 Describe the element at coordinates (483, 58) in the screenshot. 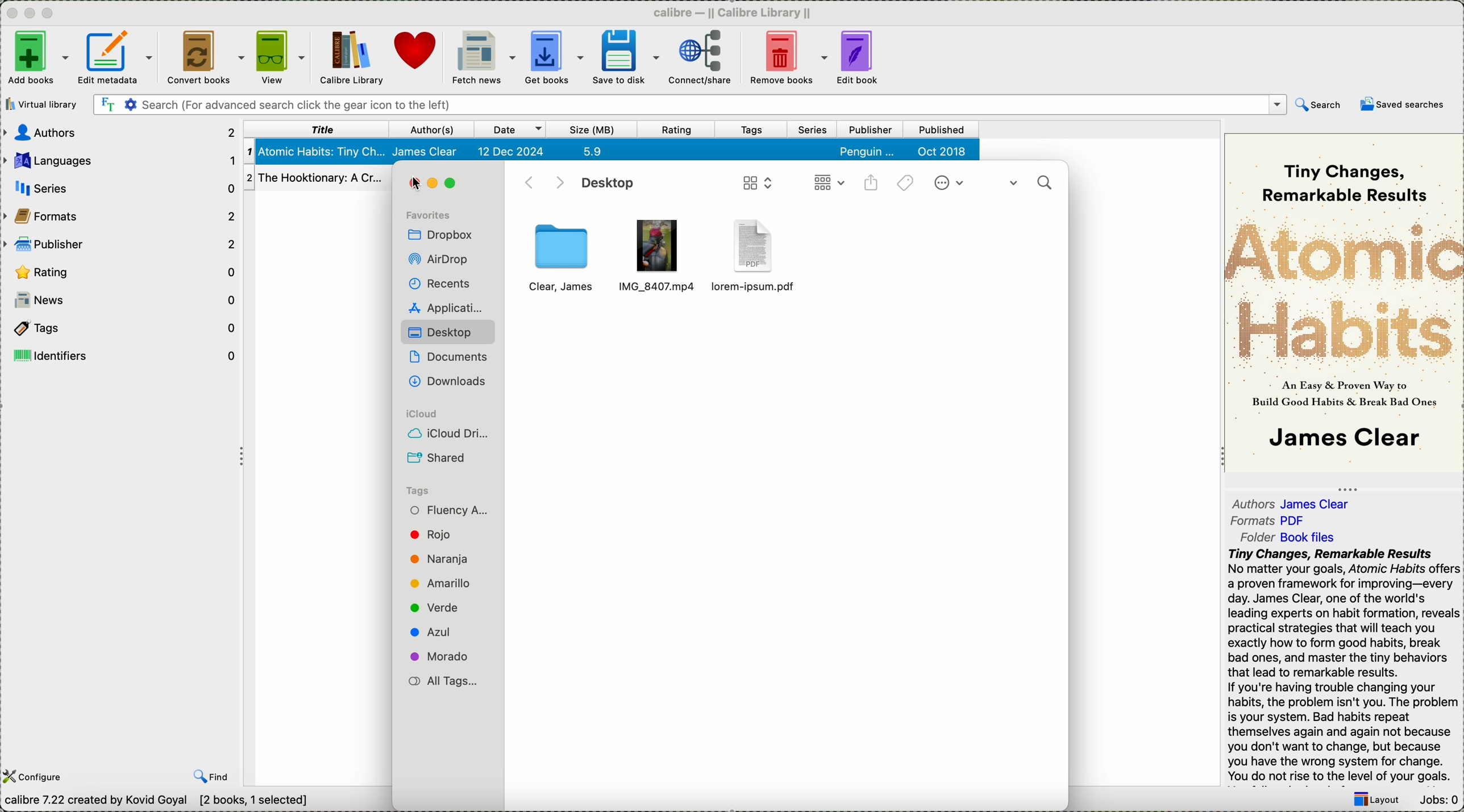

I see `fetch news` at that location.